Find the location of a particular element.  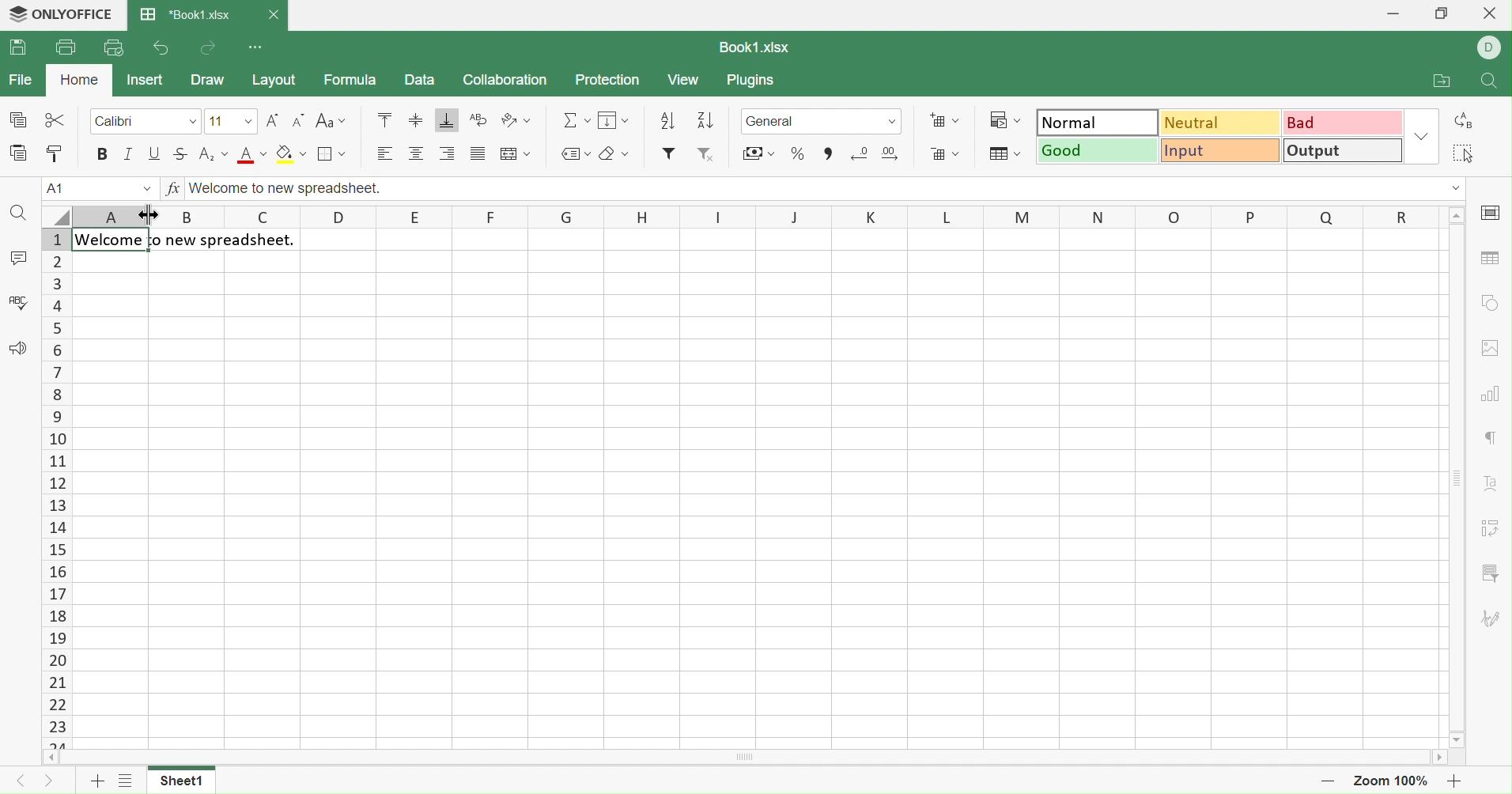

Find is located at coordinates (1491, 83).